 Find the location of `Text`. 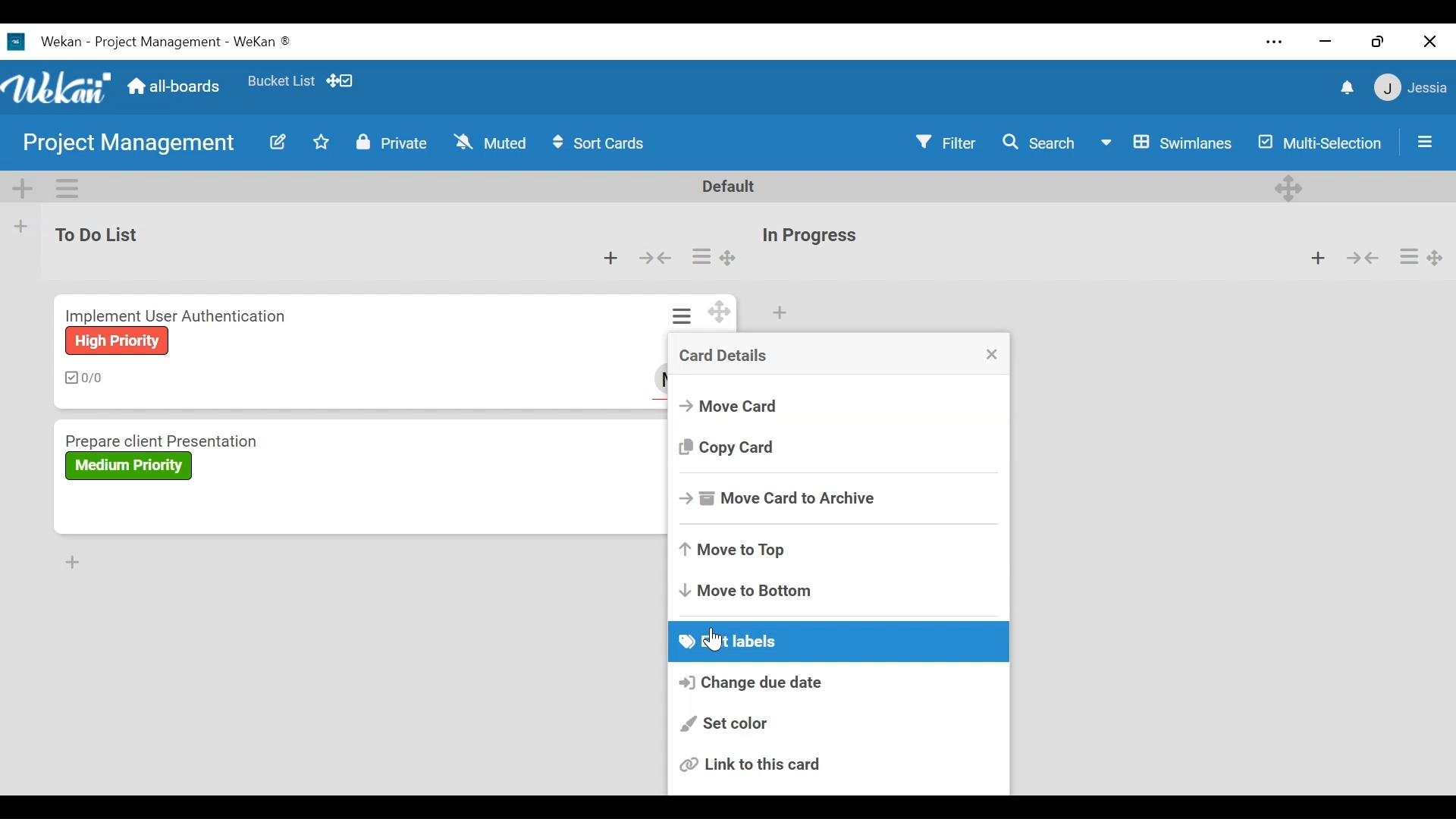

Text is located at coordinates (167, 42).